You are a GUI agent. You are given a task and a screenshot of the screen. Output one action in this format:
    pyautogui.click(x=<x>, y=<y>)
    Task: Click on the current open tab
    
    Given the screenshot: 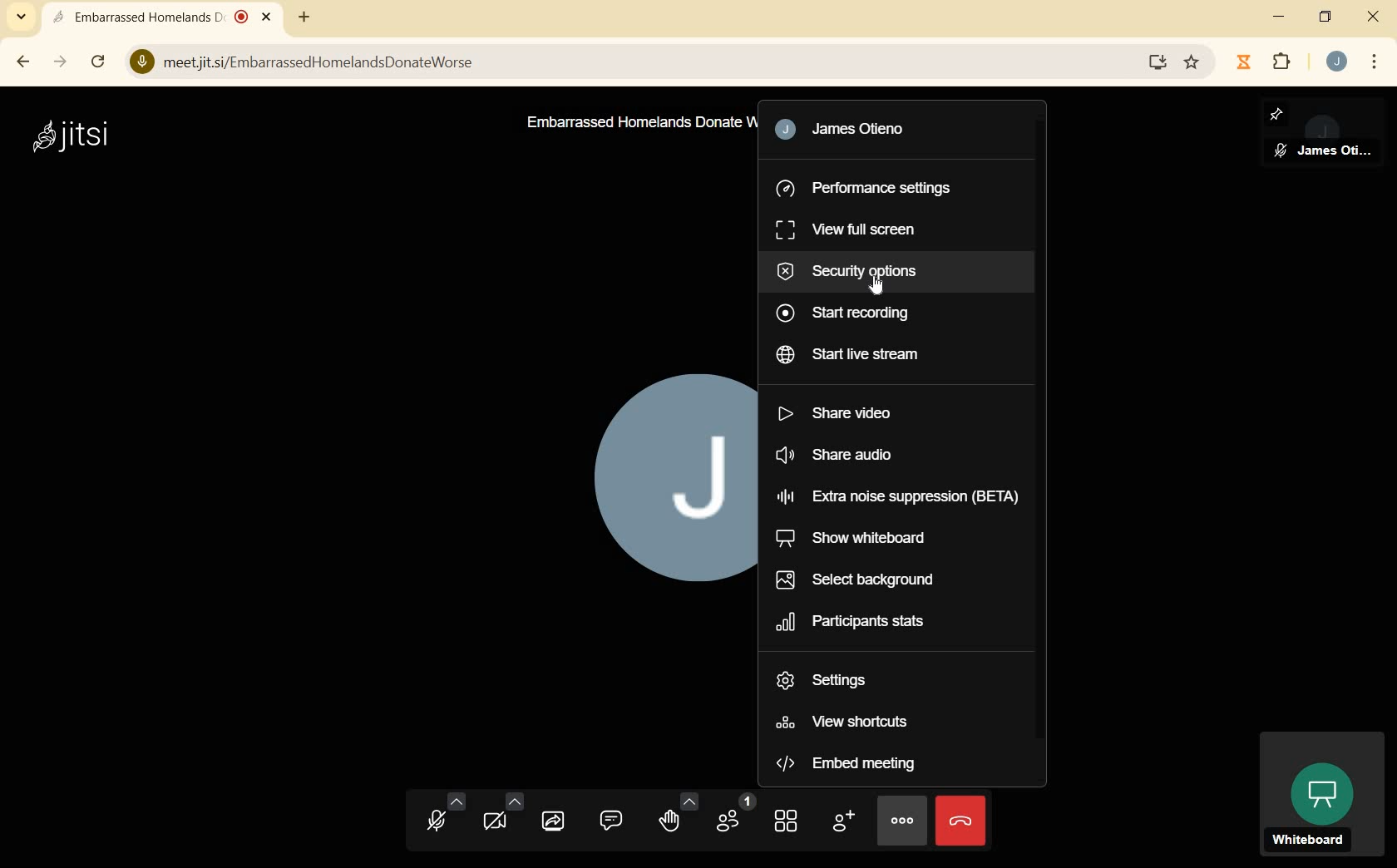 What is the action you would take?
    pyautogui.click(x=166, y=19)
    